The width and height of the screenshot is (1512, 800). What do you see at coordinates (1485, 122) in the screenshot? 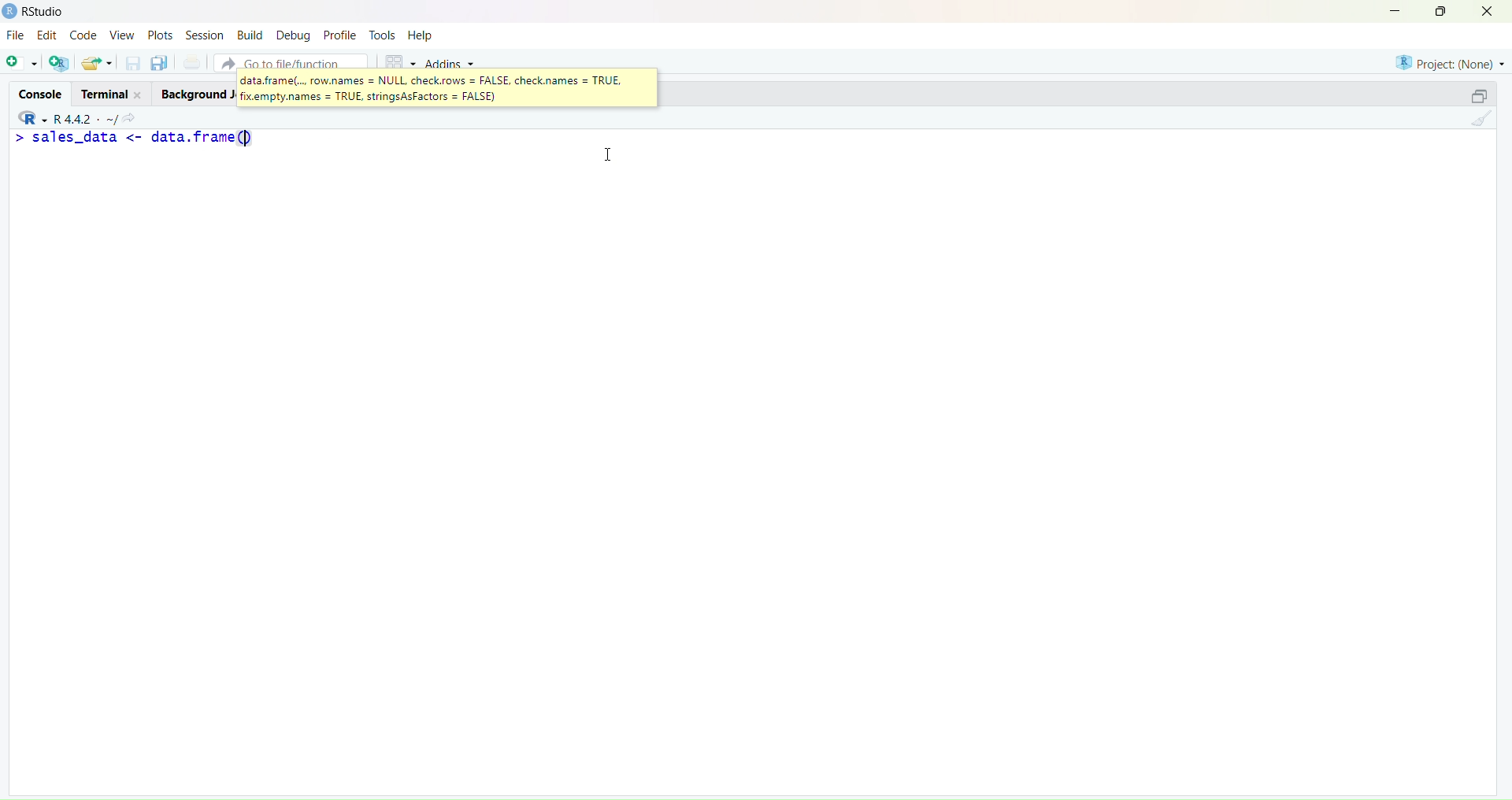
I see `clear` at bounding box center [1485, 122].